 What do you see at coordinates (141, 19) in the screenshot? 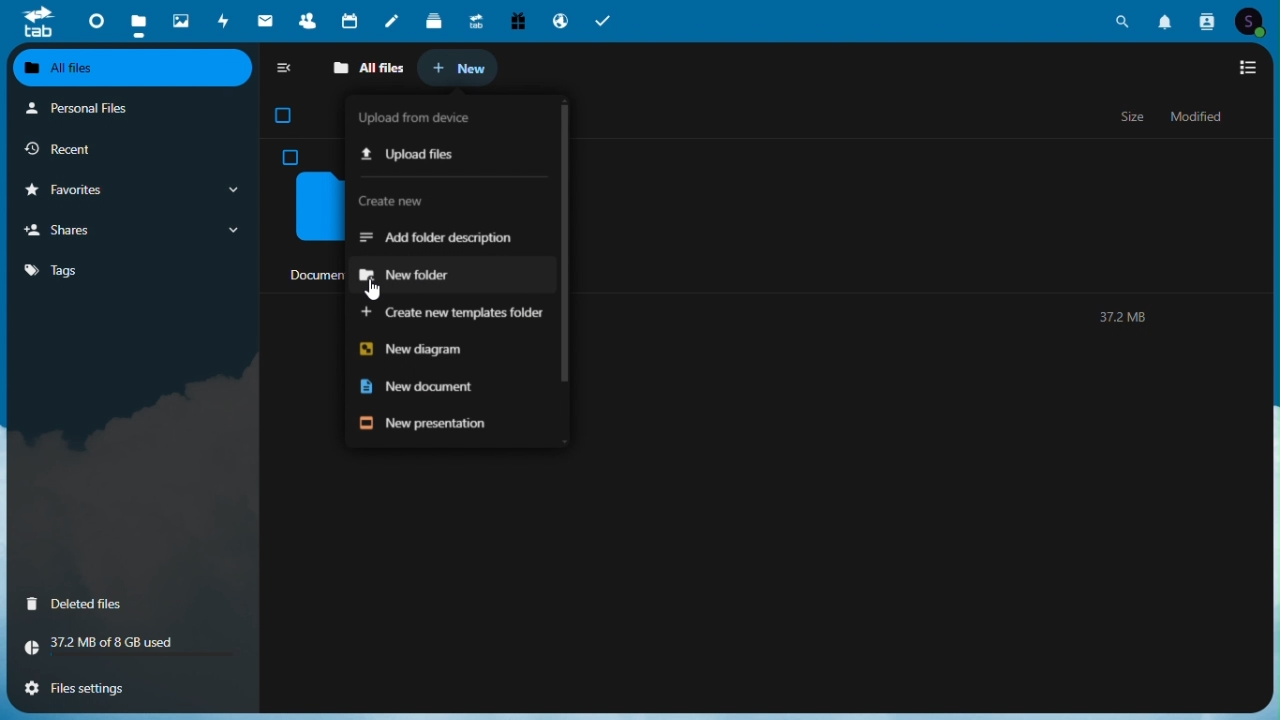
I see `Files` at bounding box center [141, 19].